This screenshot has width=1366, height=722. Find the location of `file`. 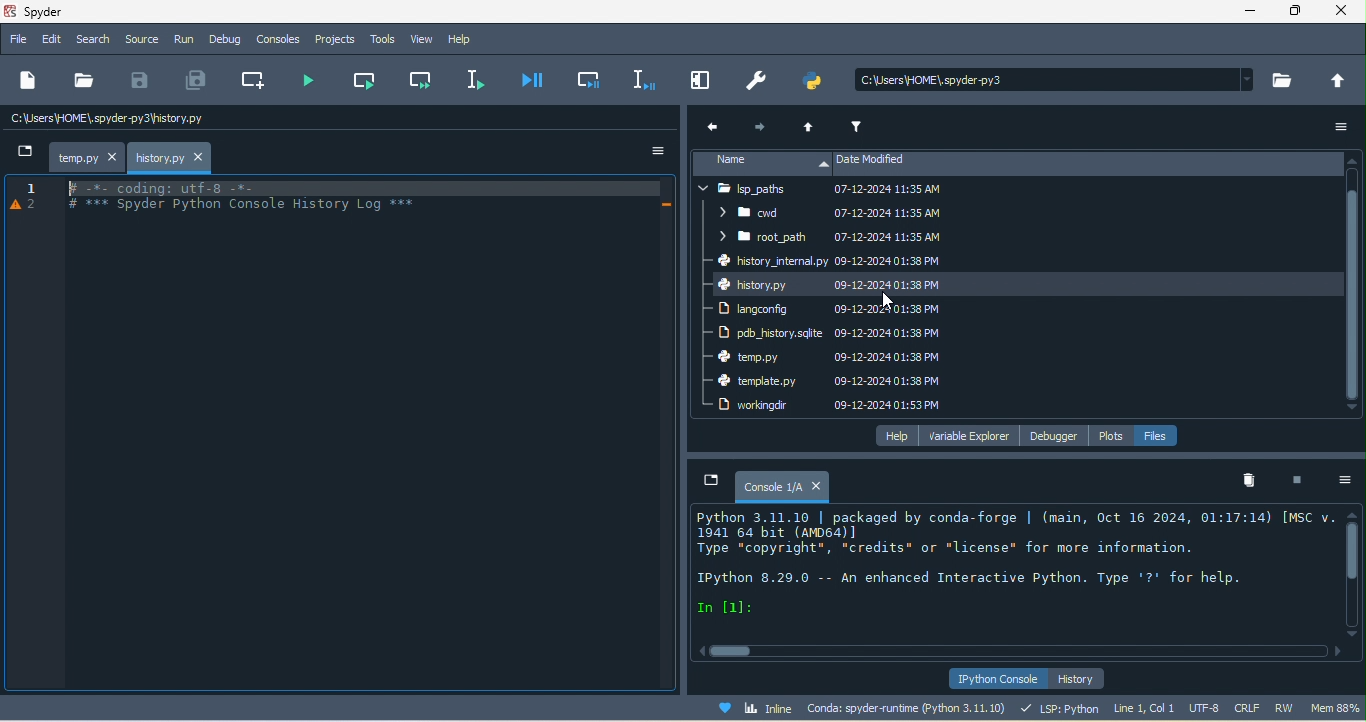

file is located at coordinates (1161, 435).